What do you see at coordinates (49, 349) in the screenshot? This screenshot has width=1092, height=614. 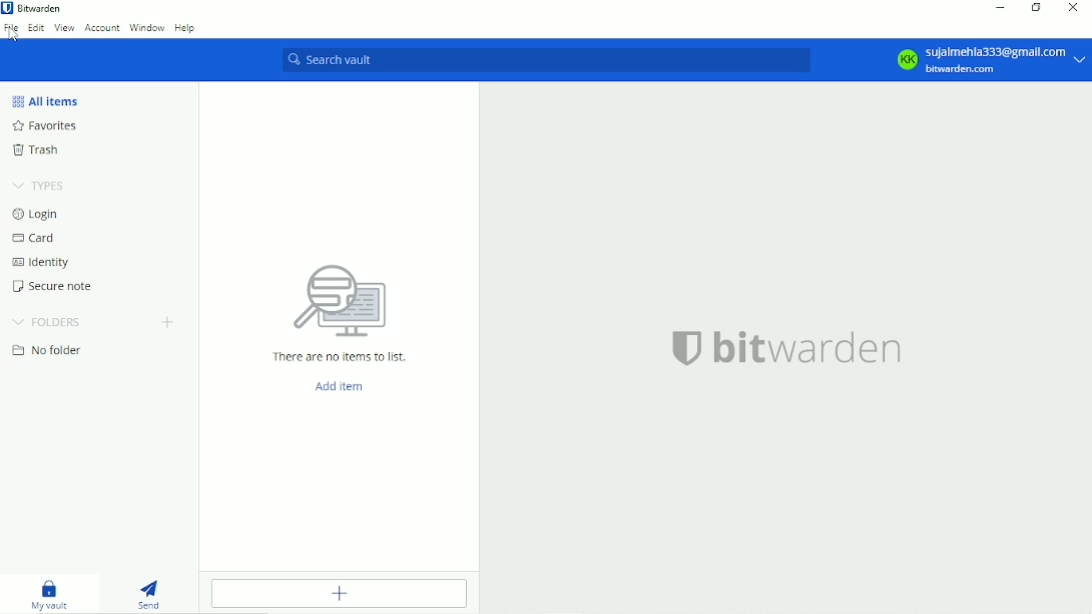 I see `No folder` at bounding box center [49, 349].